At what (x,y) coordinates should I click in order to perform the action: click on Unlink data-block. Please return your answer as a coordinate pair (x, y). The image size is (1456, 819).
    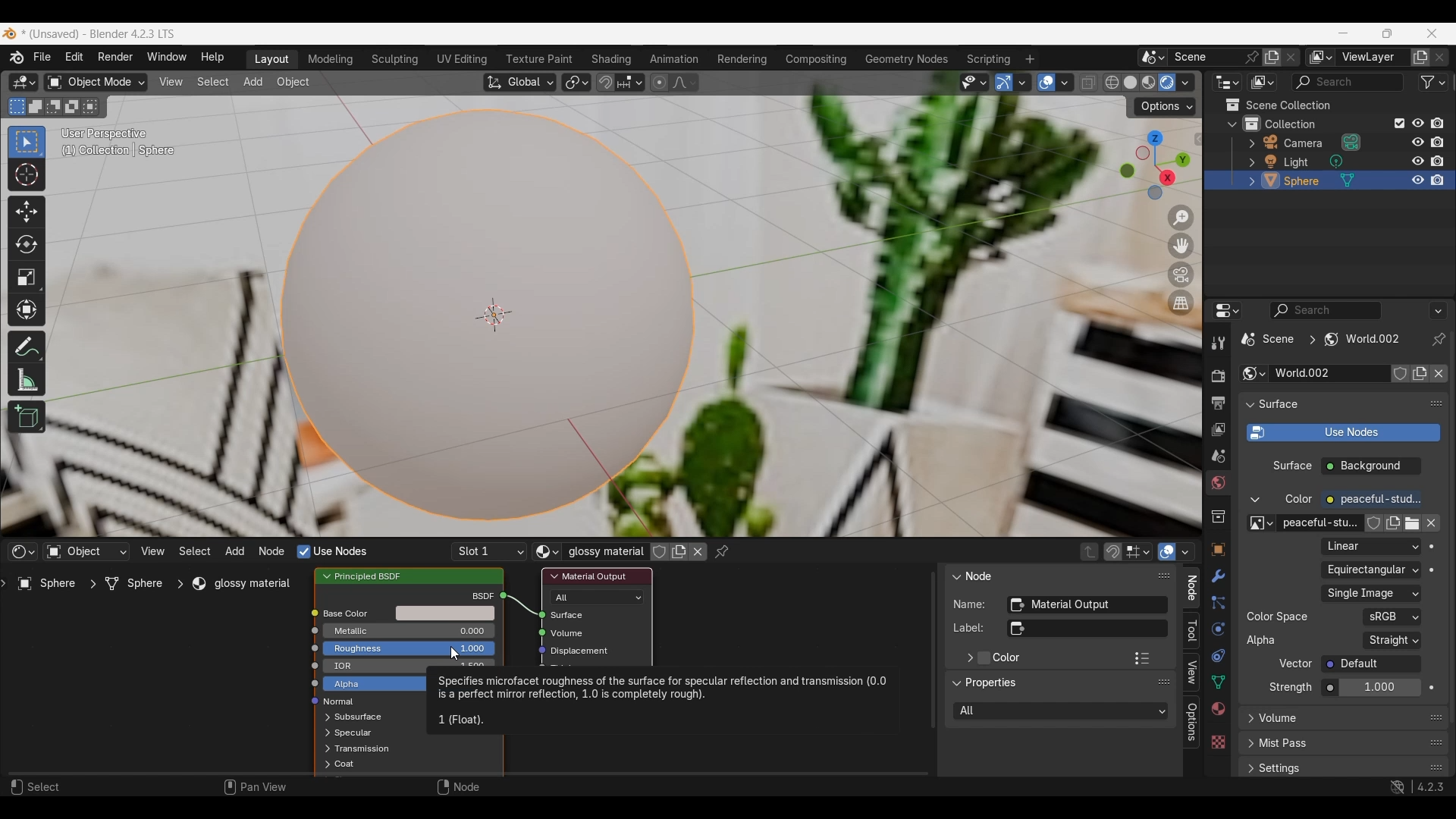
    Looking at the image, I should click on (1439, 374).